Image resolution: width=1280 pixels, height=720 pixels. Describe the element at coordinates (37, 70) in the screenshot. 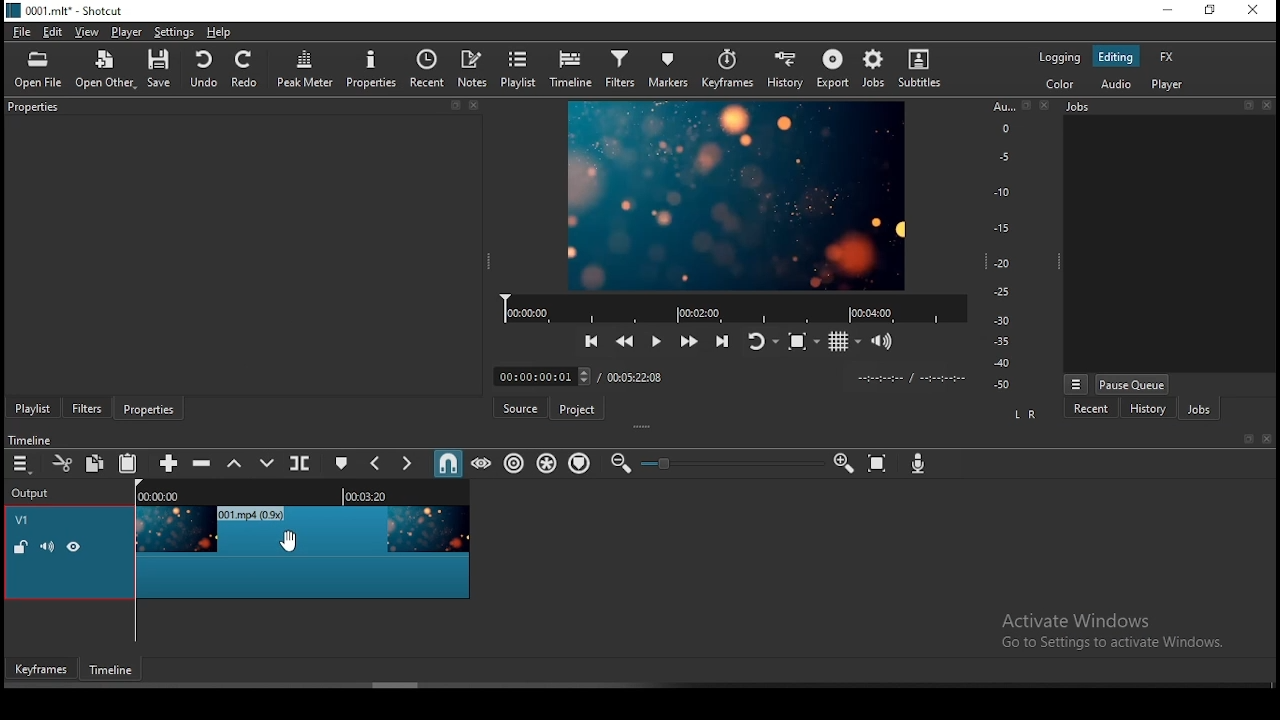

I see `open file` at that location.